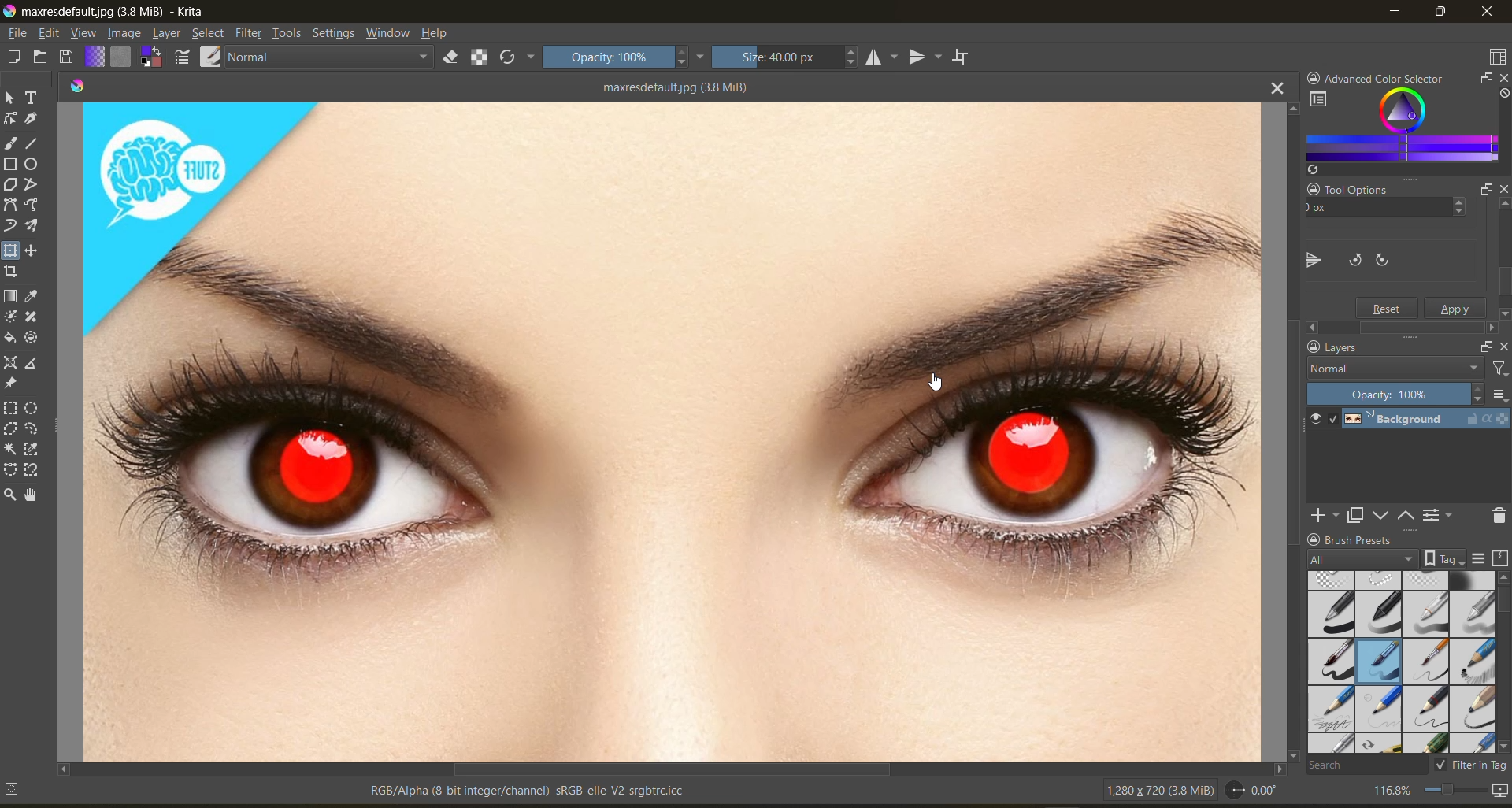 This screenshot has height=808, width=1512. I want to click on fill gradients, so click(97, 56).